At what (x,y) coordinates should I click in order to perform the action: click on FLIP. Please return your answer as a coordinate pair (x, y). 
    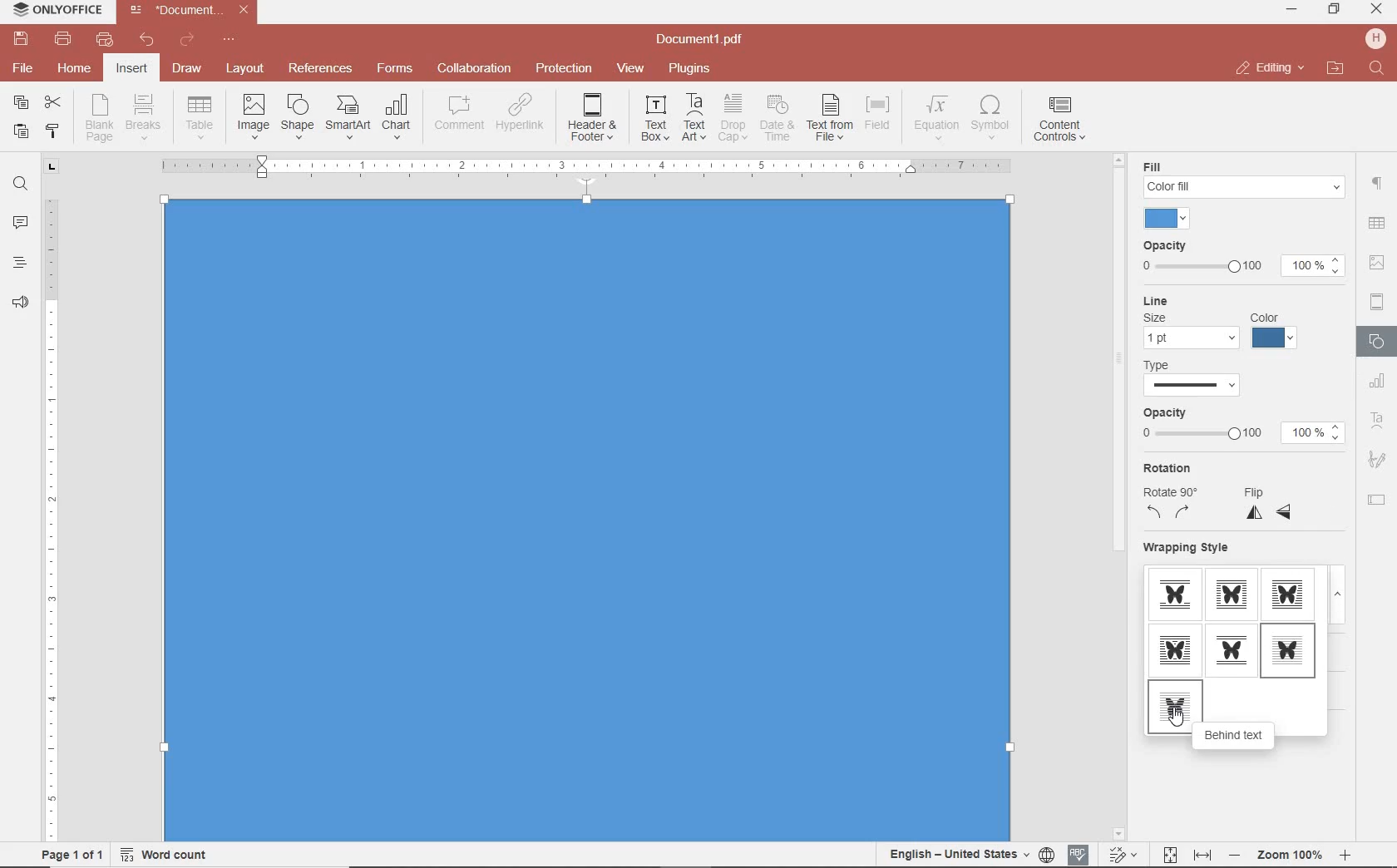
    Looking at the image, I should click on (1272, 504).